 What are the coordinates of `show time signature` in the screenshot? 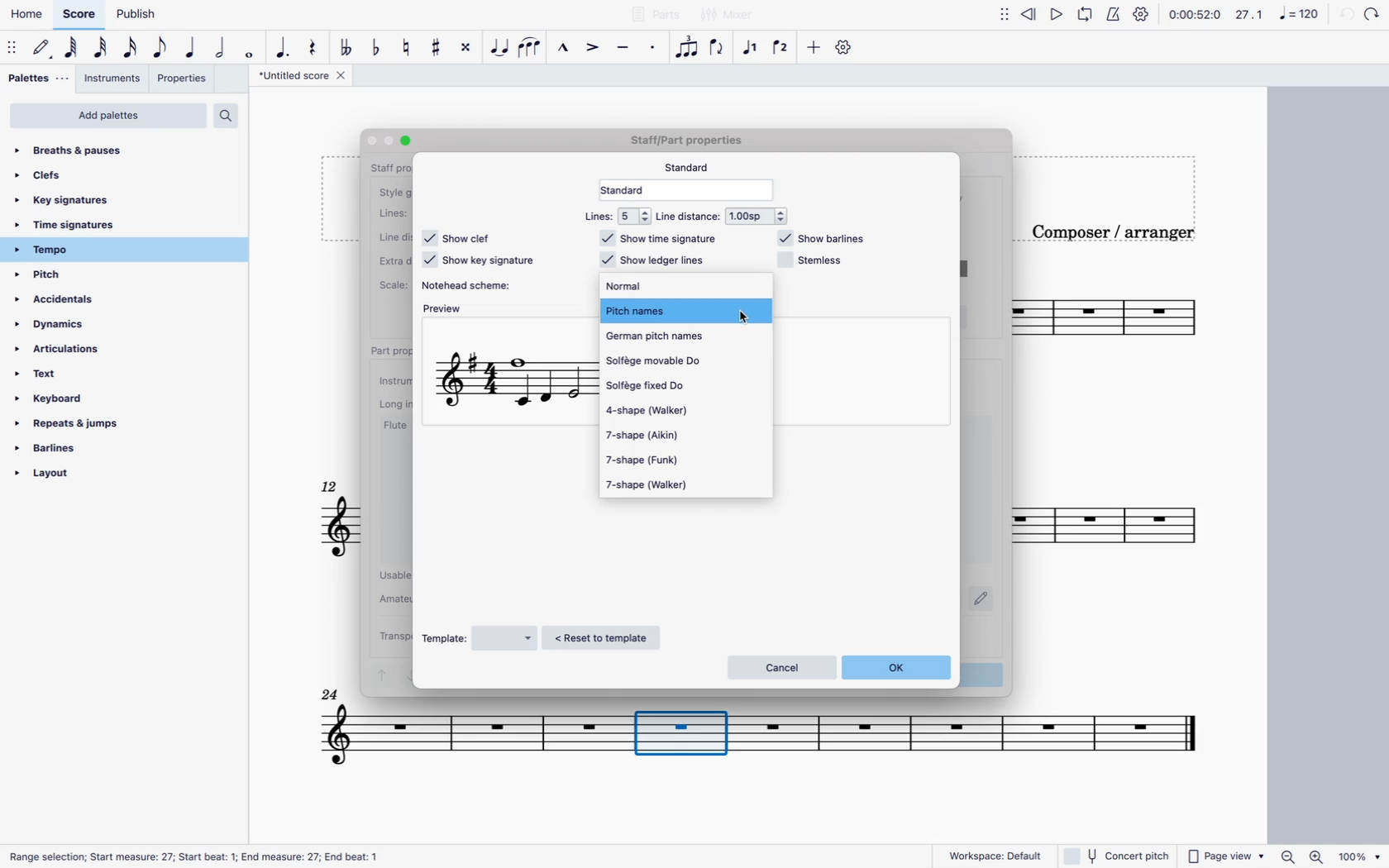 It's located at (664, 238).